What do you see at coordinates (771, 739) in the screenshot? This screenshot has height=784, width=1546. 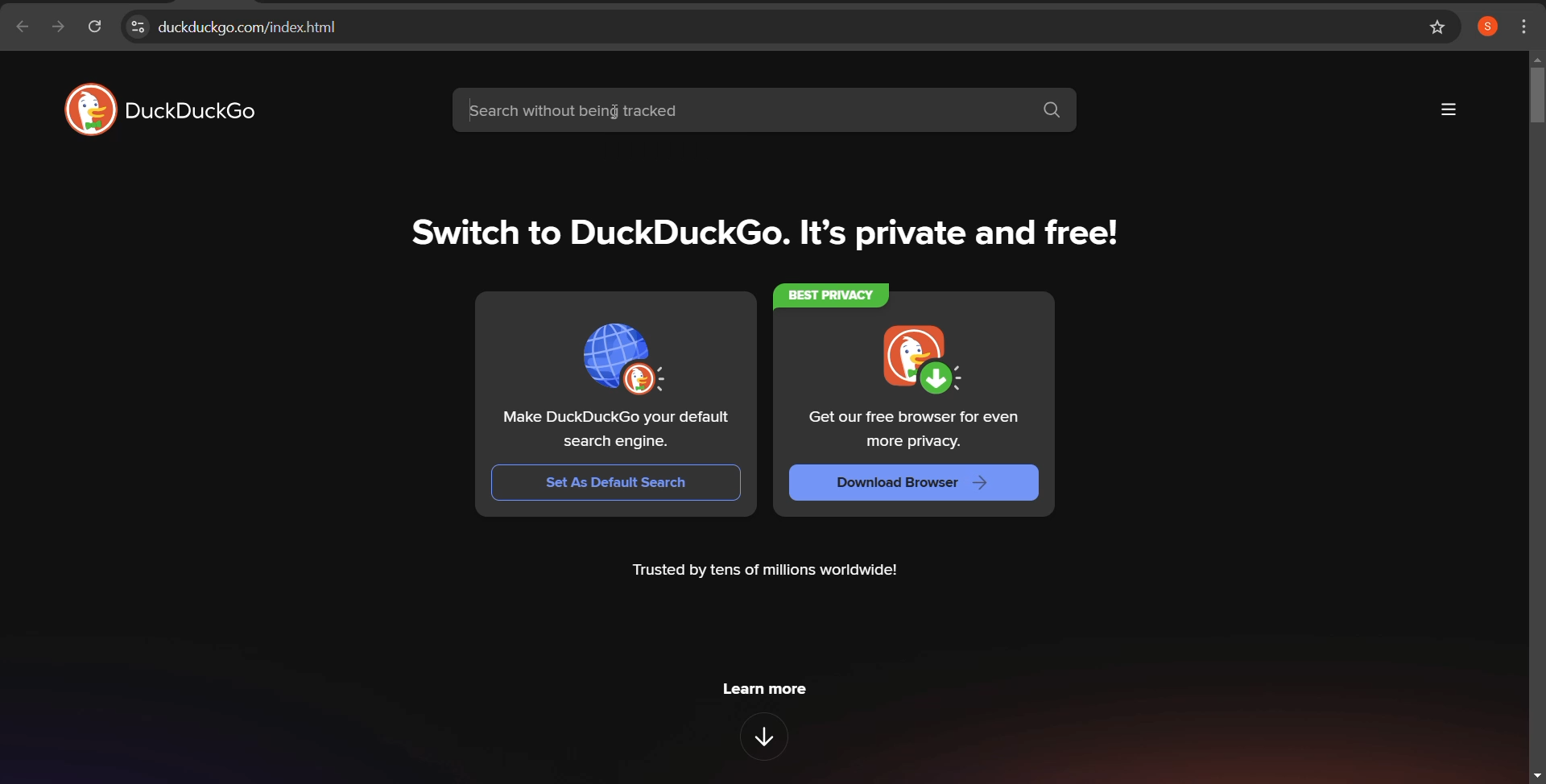 I see `downward` at bounding box center [771, 739].